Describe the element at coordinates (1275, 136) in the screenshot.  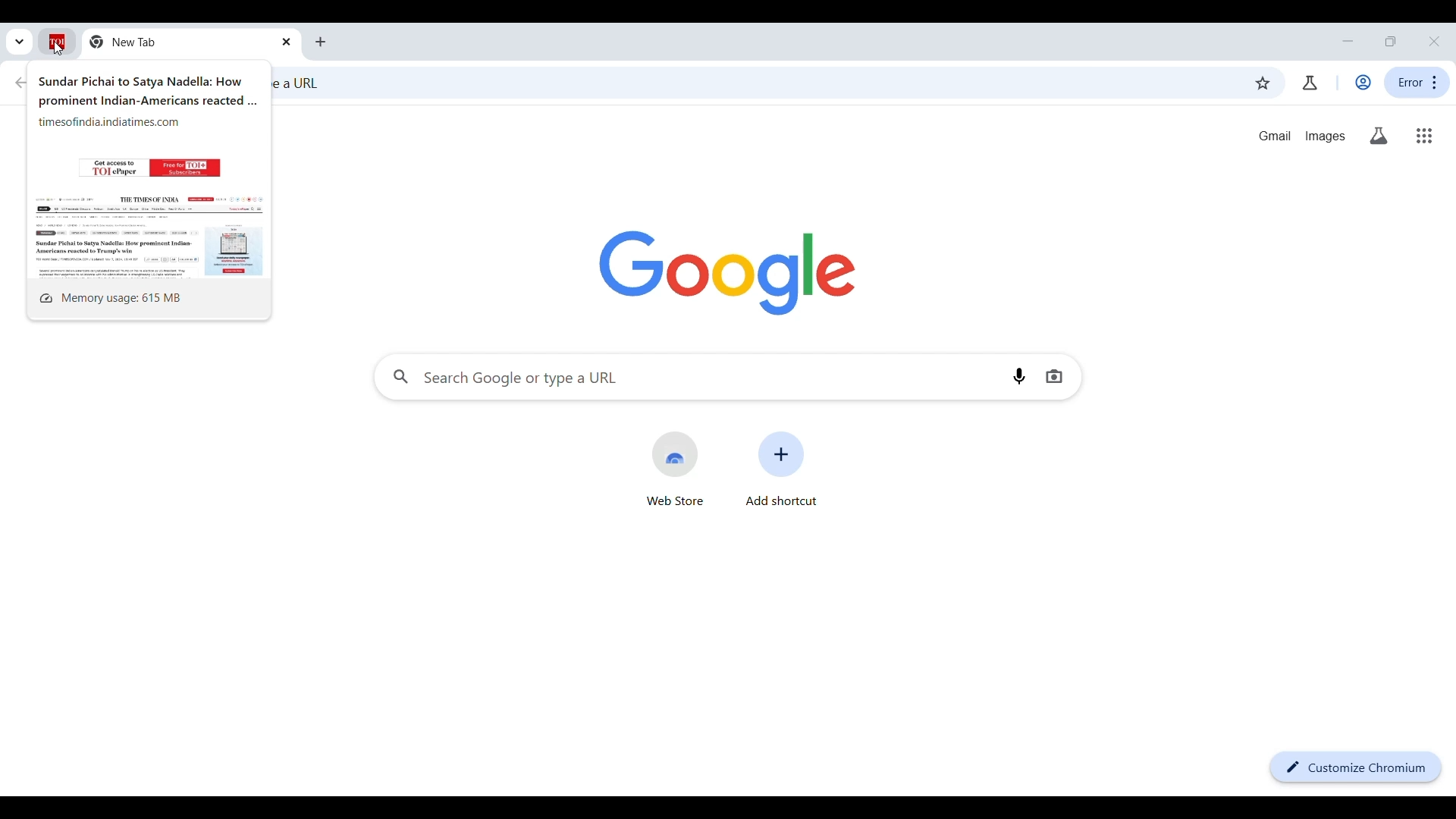
I see `Gmail` at that location.